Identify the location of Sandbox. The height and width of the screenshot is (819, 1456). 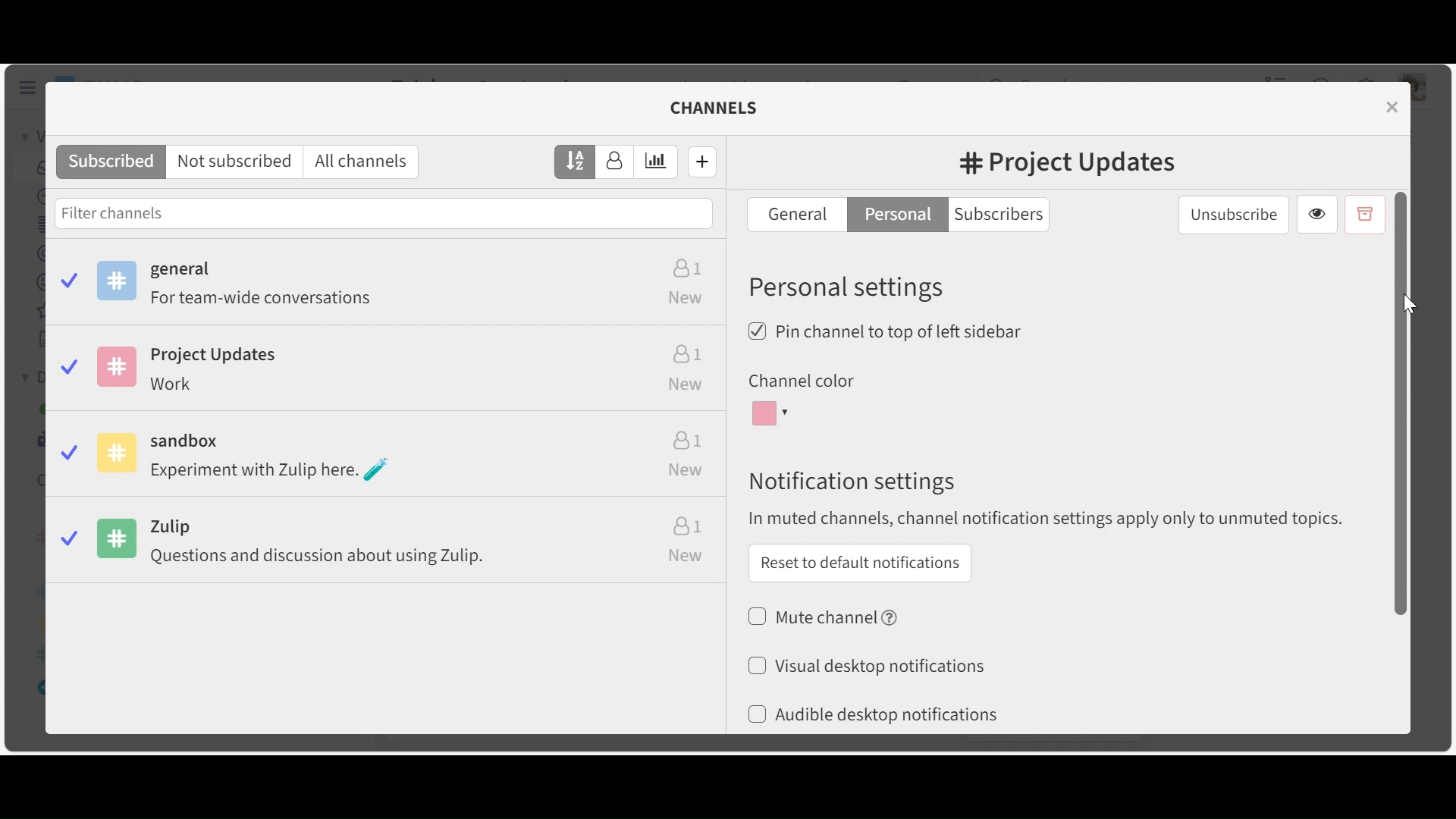
(388, 458).